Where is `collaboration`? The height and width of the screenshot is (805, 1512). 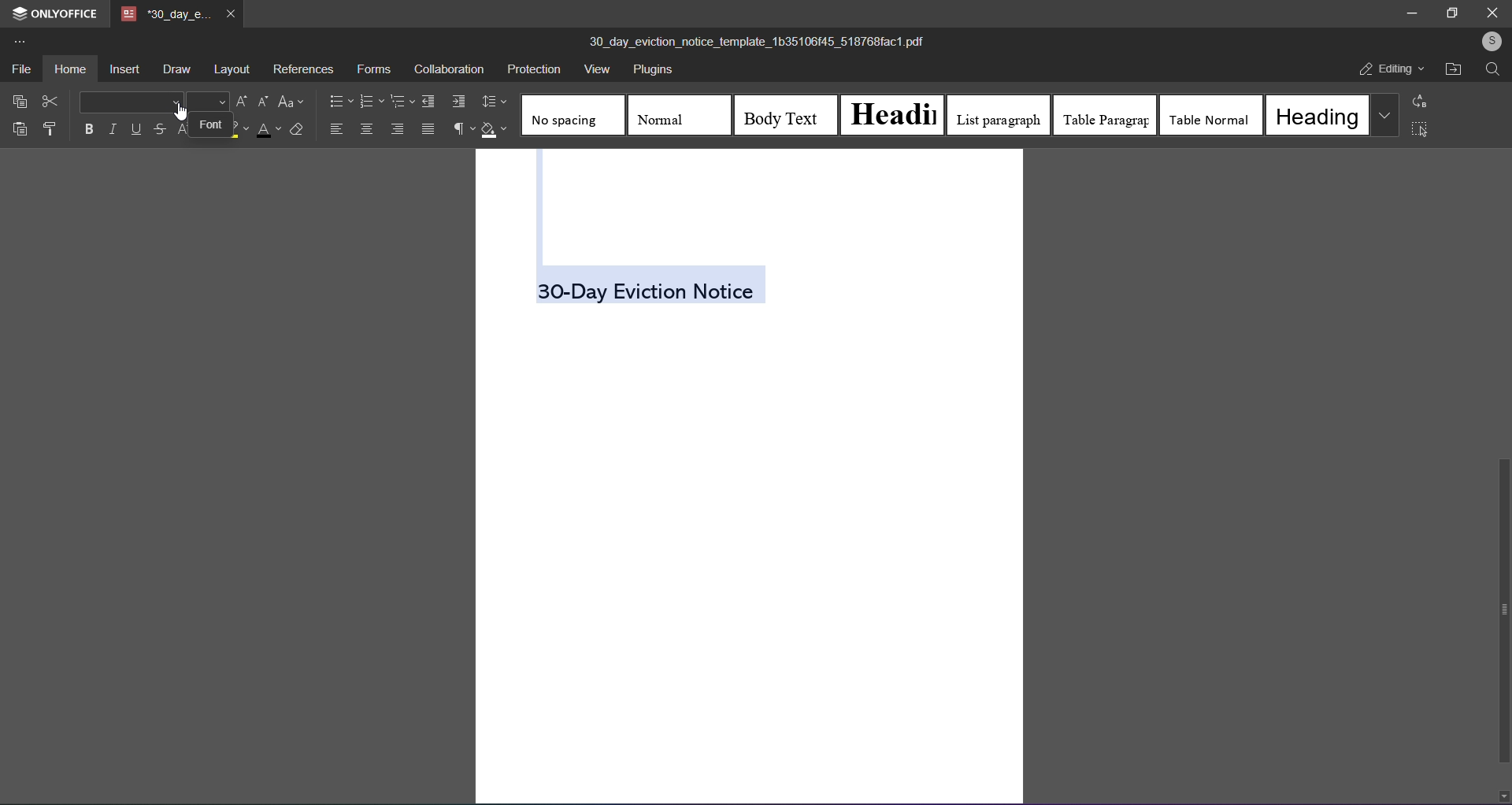 collaboration is located at coordinates (447, 69).